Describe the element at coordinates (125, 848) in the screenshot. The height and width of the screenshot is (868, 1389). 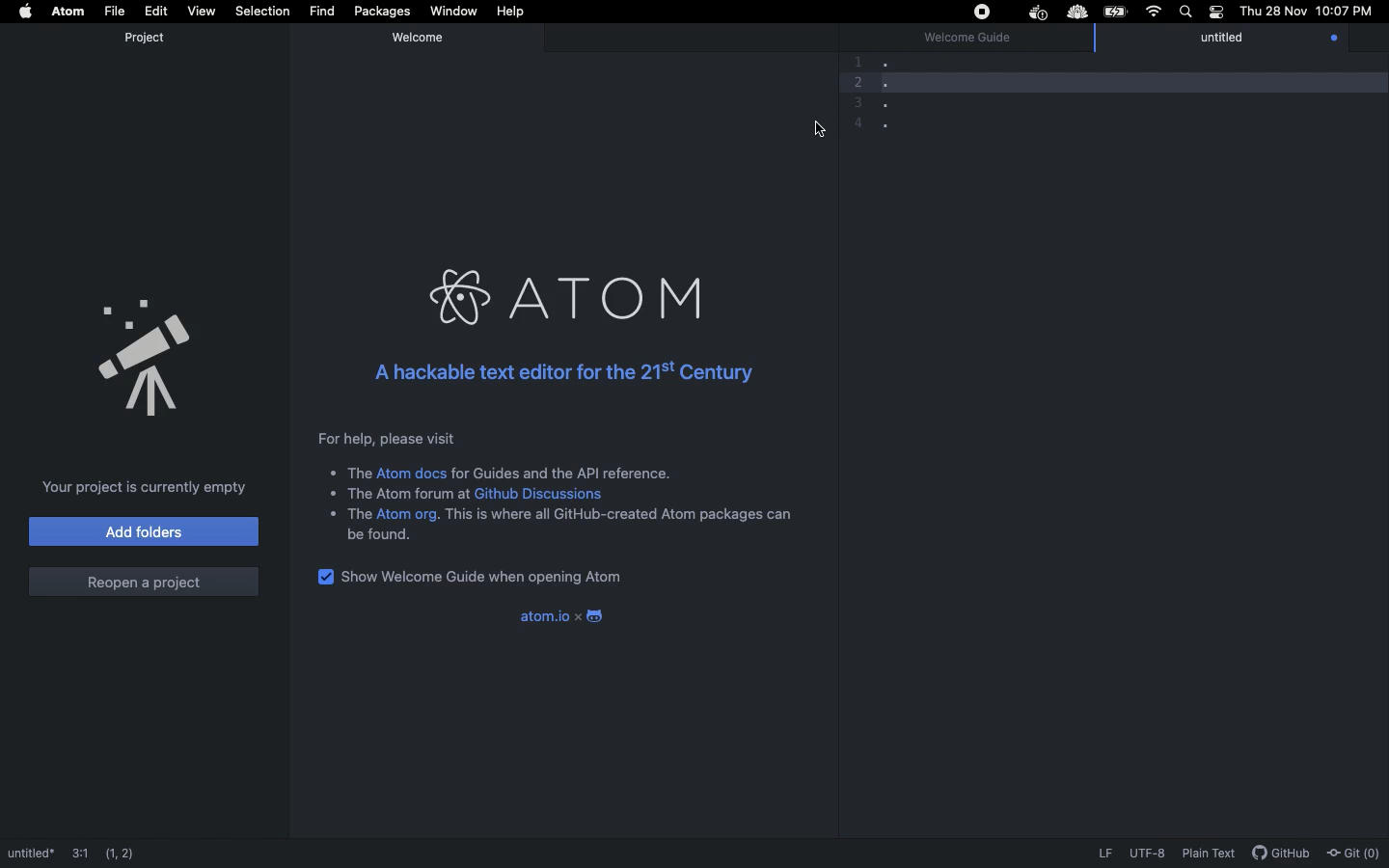
I see `(1,2)` at that location.